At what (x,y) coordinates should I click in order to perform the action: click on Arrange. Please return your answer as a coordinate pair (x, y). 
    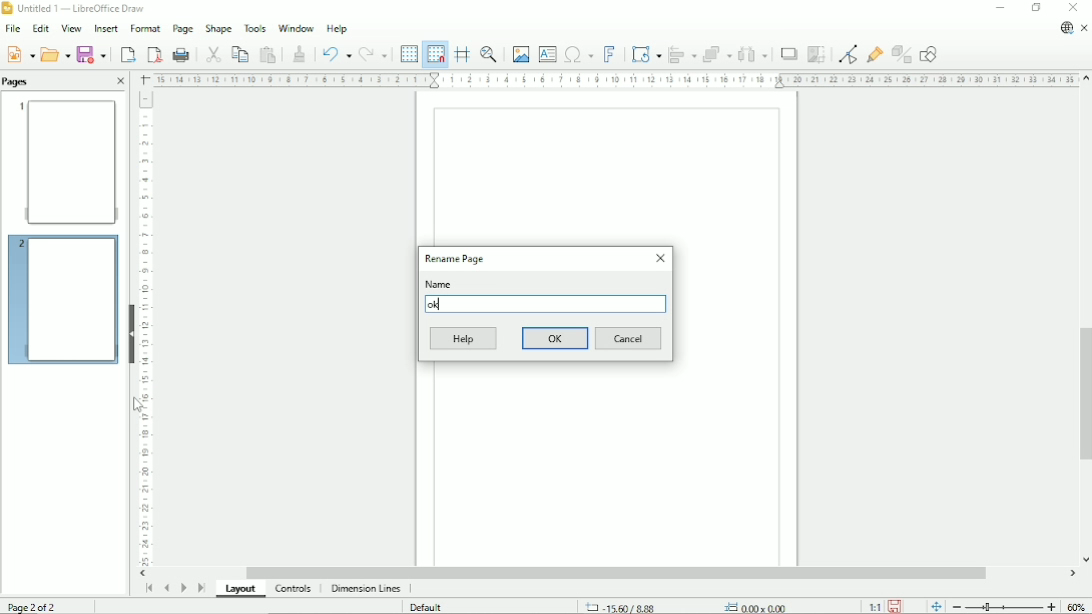
    Looking at the image, I should click on (717, 54).